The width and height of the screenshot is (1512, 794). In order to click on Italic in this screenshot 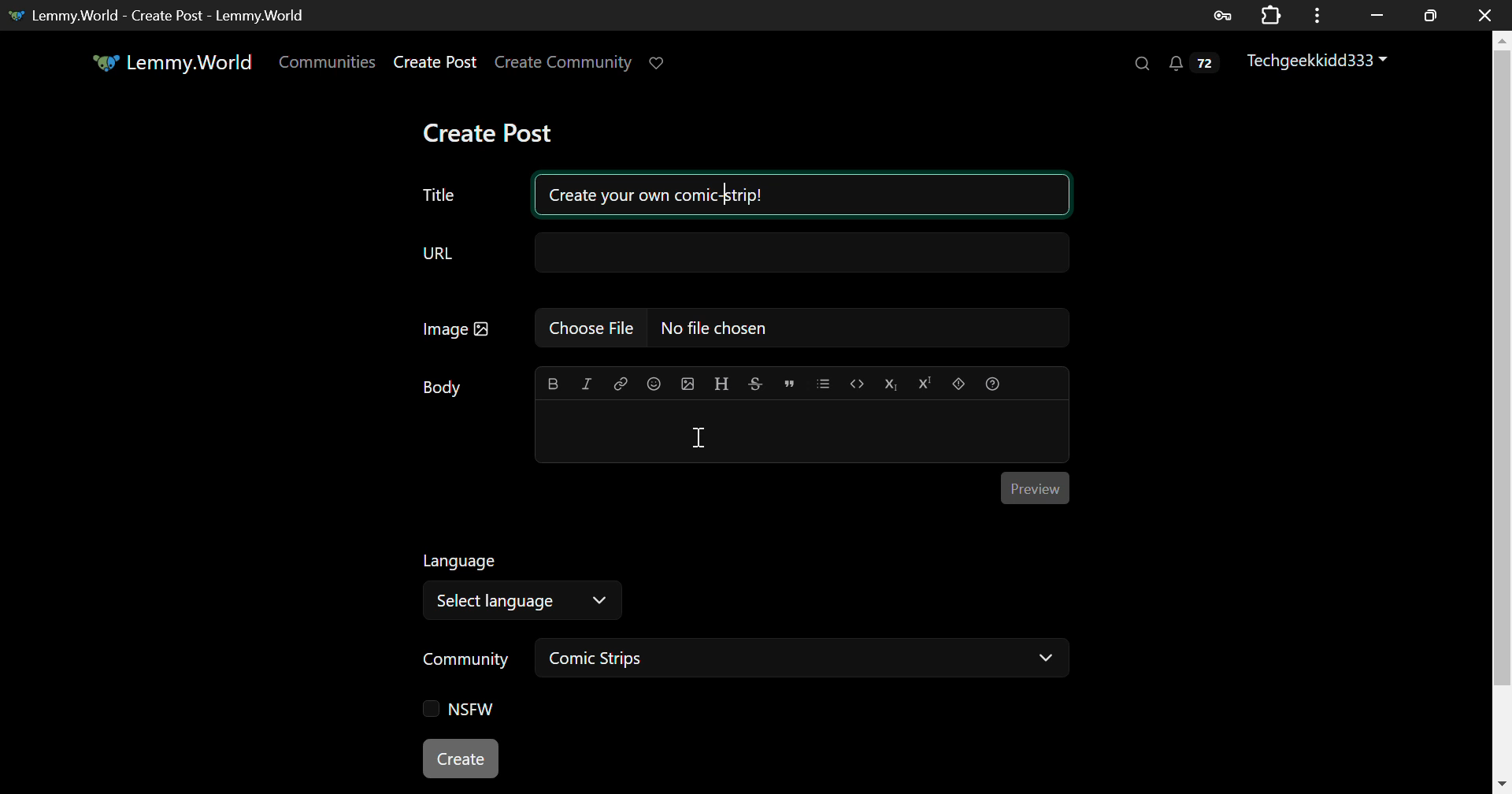, I will do `click(587, 384)`.